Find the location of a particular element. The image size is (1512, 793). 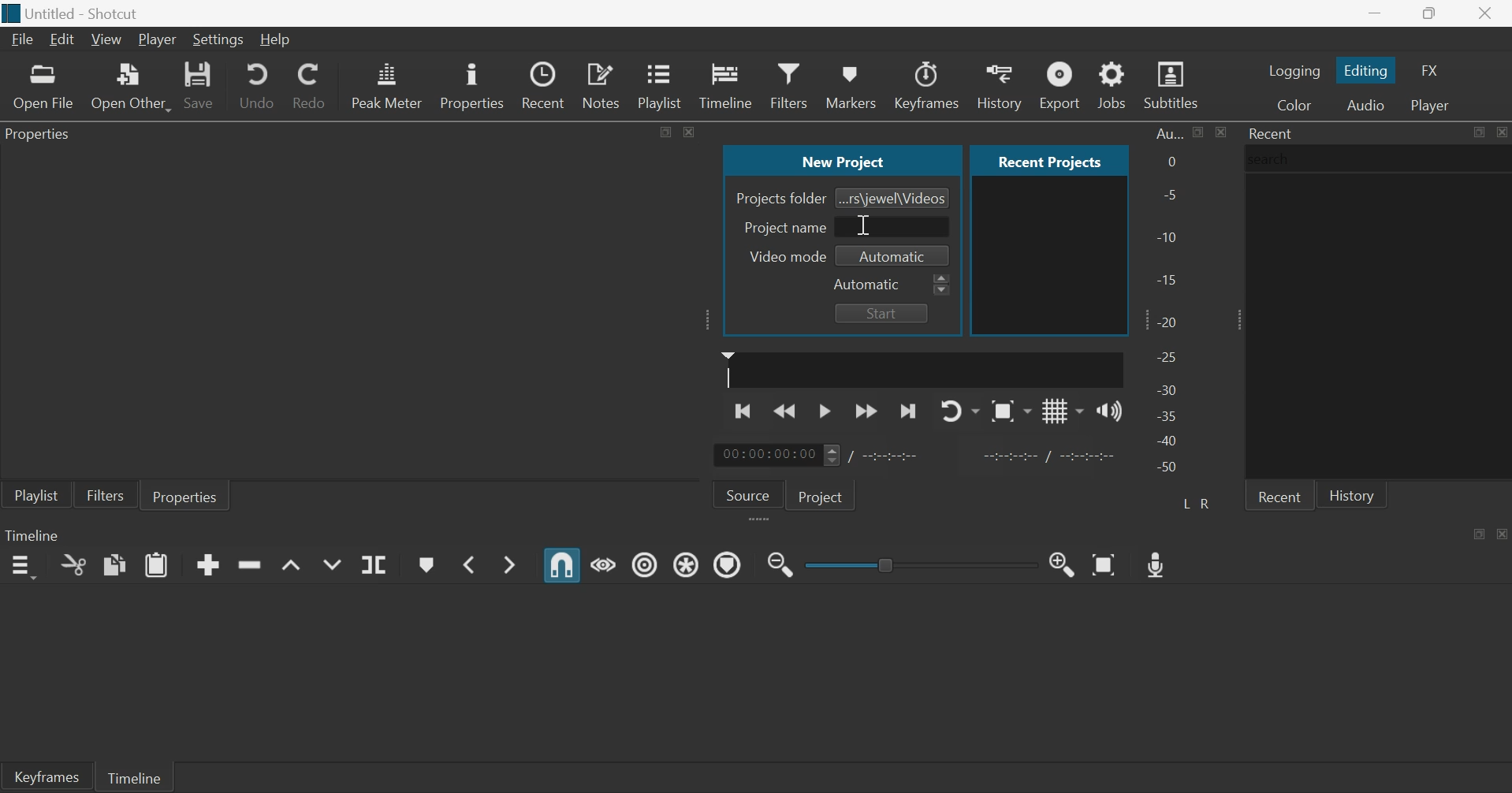

Play quickly forward is located at coordinates (866, 411).